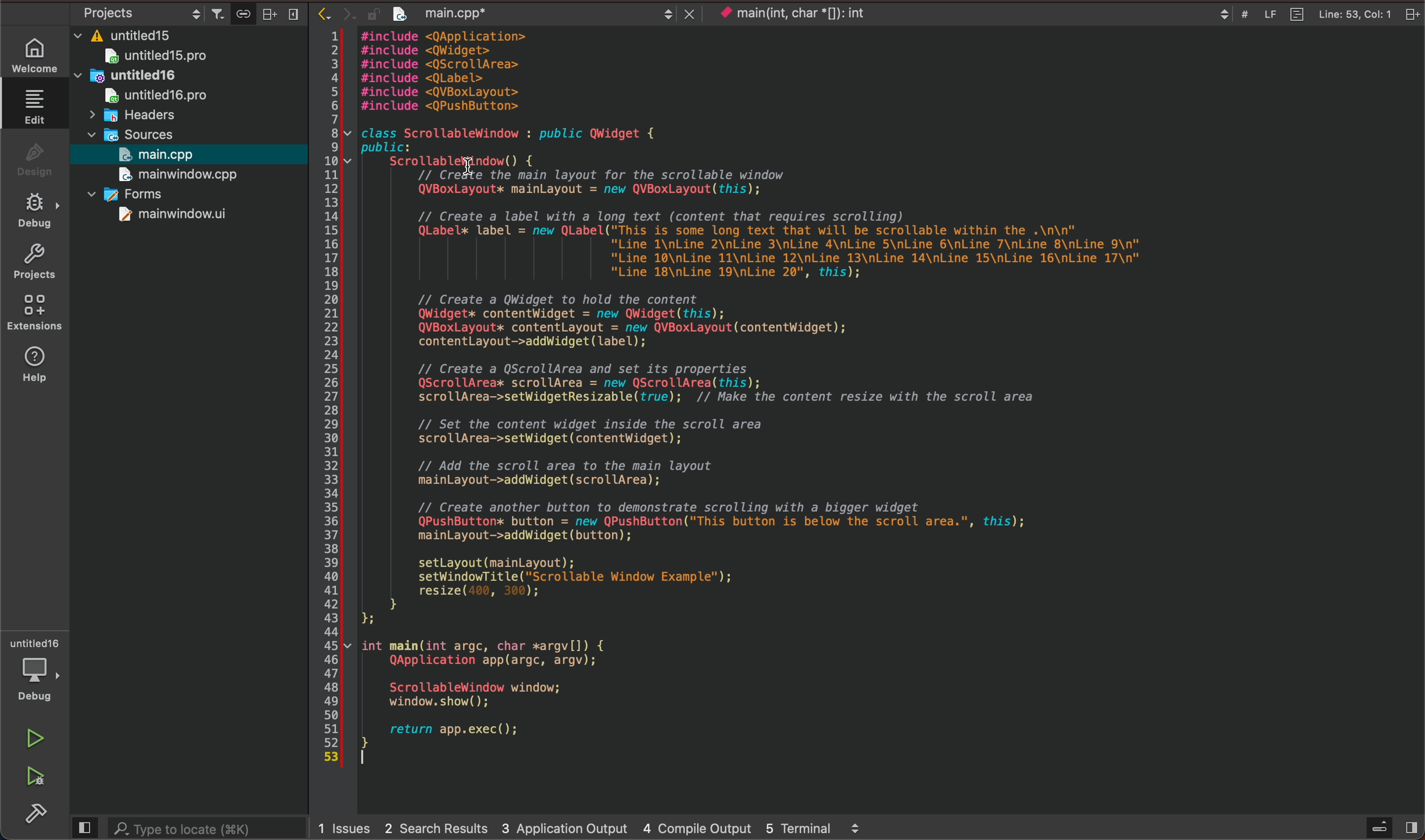  What do you see at coordinates (170, 58) in the screenshot?
I see `untitled 15` at bounding box center [170, 58].